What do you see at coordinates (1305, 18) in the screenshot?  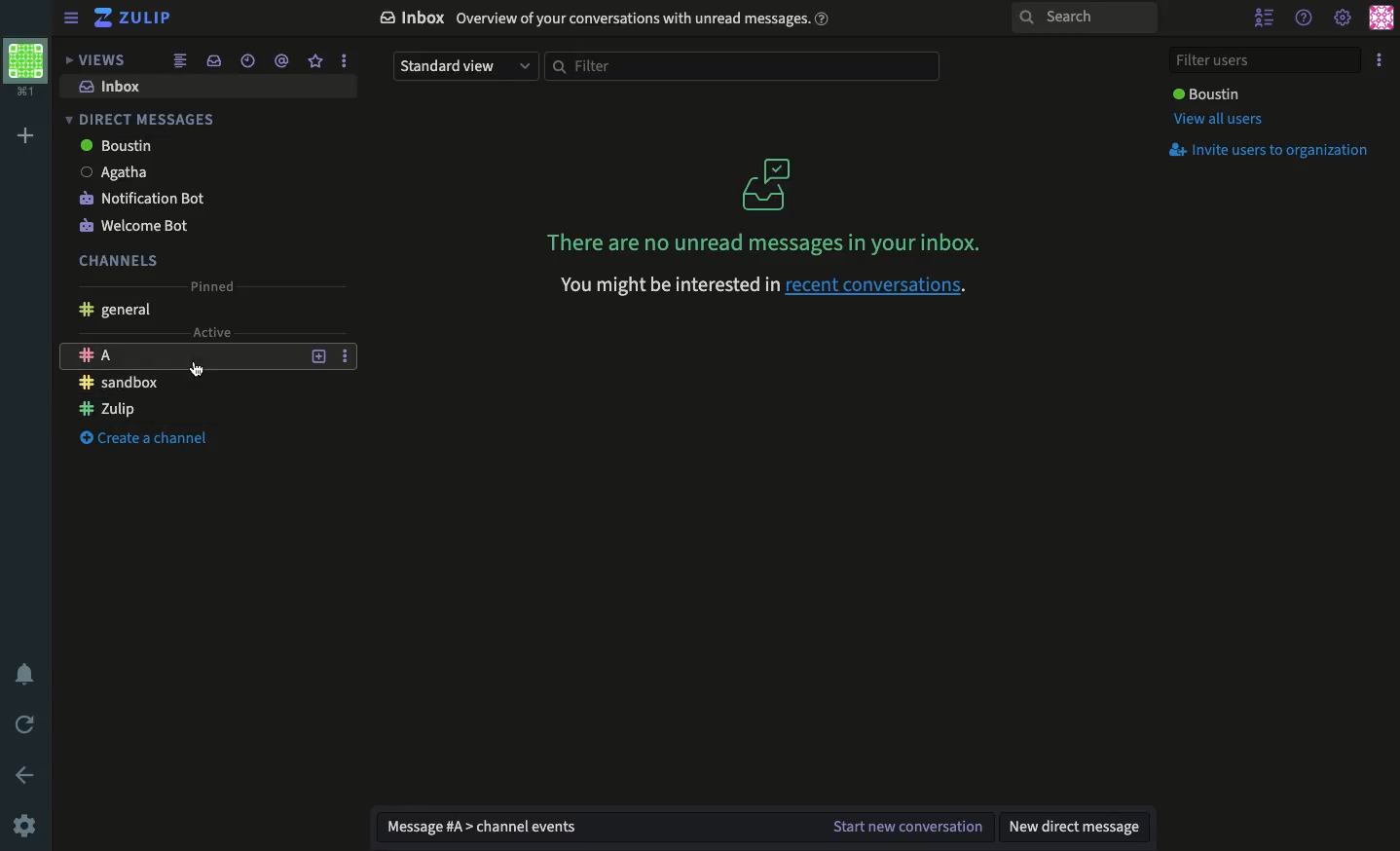 I see `Help` at bounding box center [1305, 18].